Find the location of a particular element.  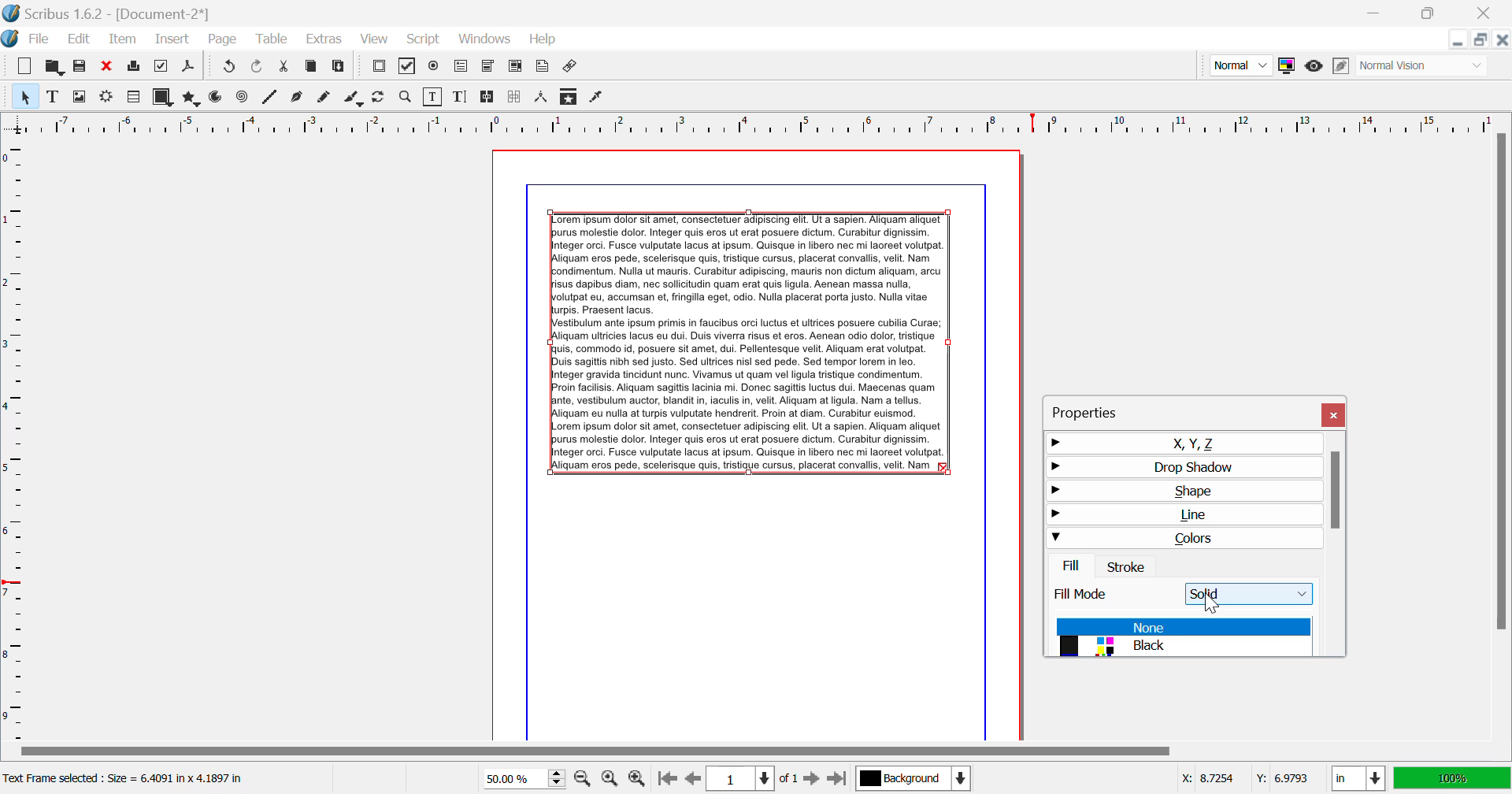

Edit in Preview Mode is located at coordinates (1343, 66).